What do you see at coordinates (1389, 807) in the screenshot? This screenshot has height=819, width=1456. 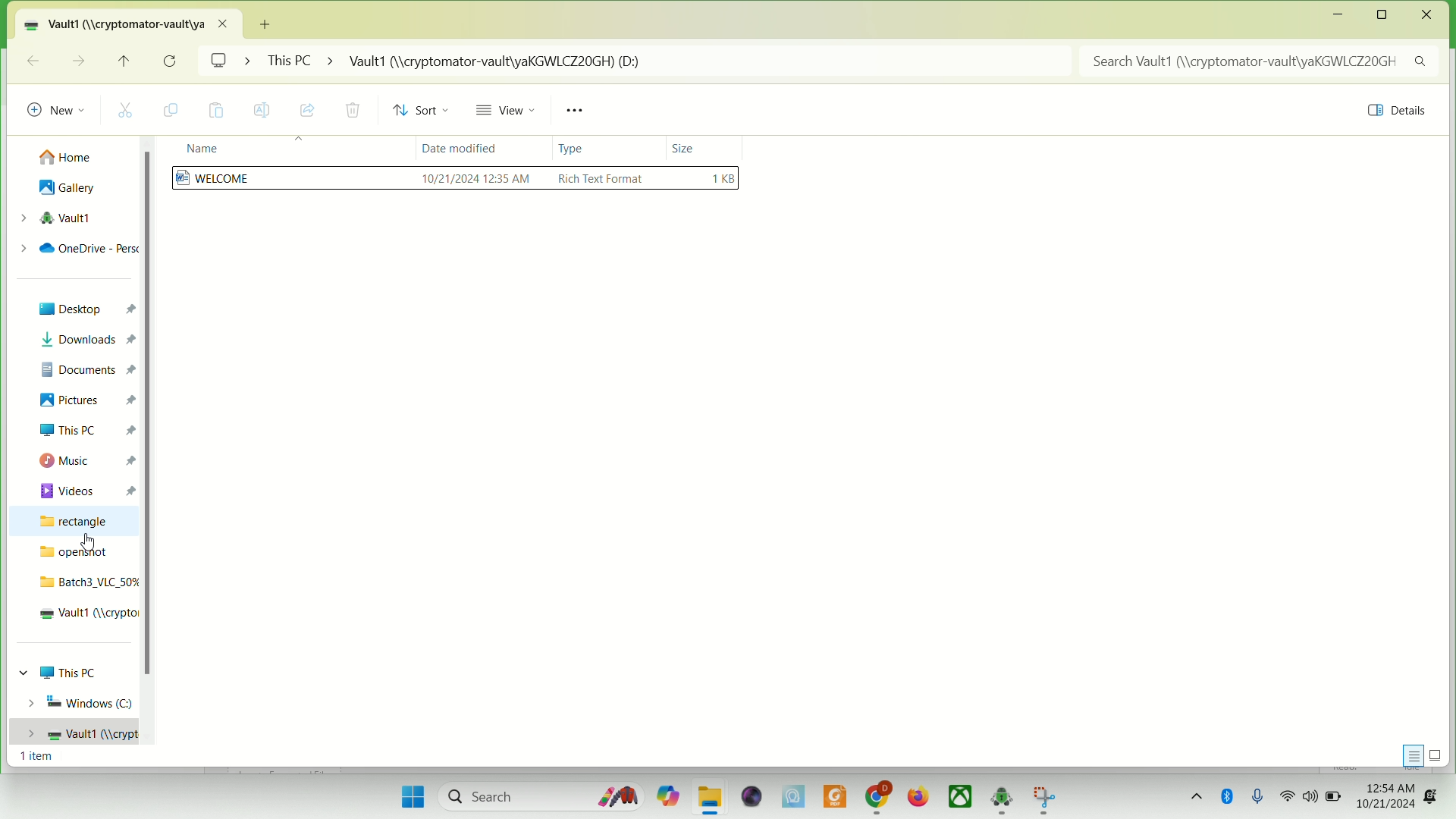 I see `10/21/2024` at bounding box center [1389, 807].